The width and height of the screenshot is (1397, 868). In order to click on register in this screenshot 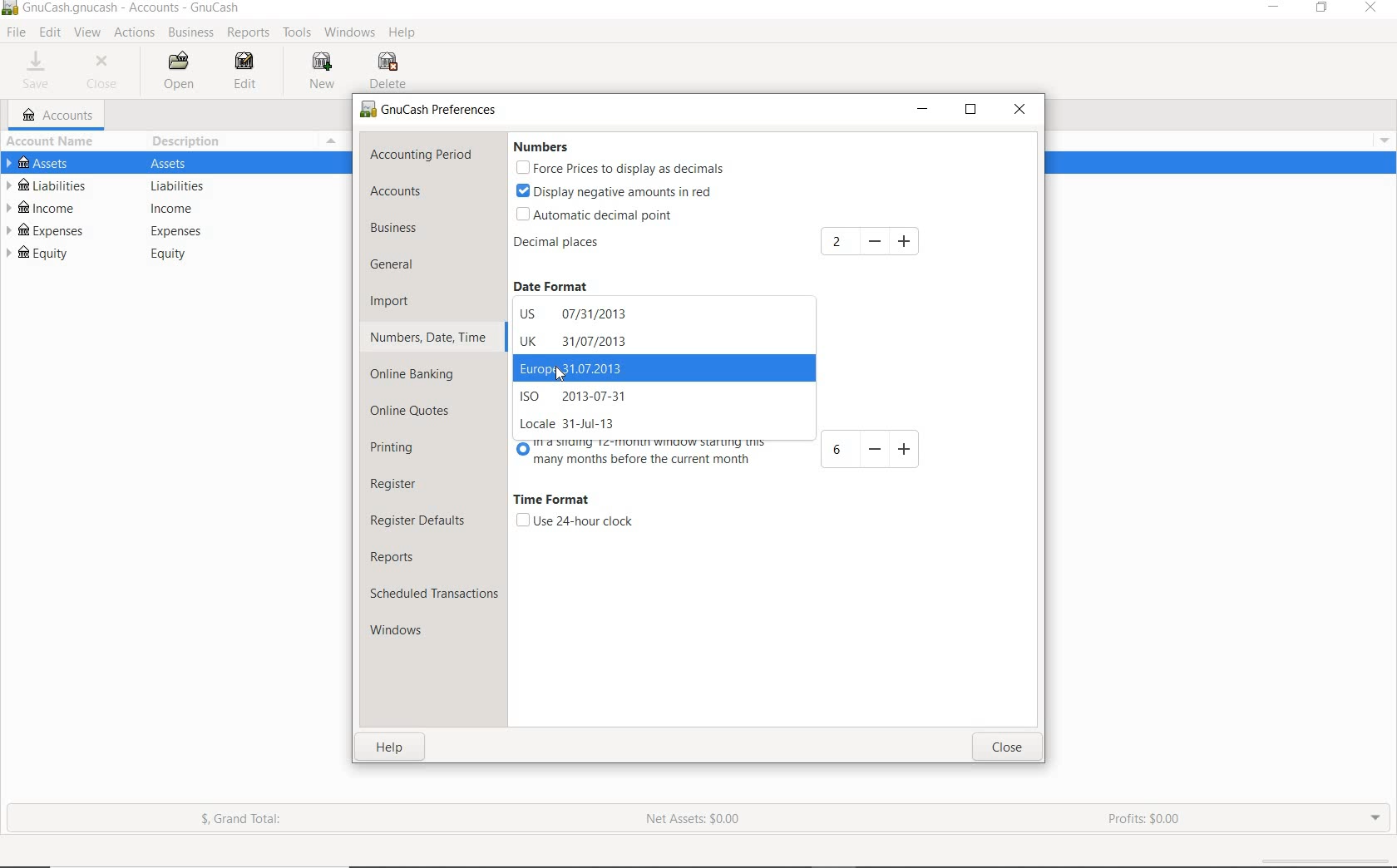, I will do `click(395, 485)`.